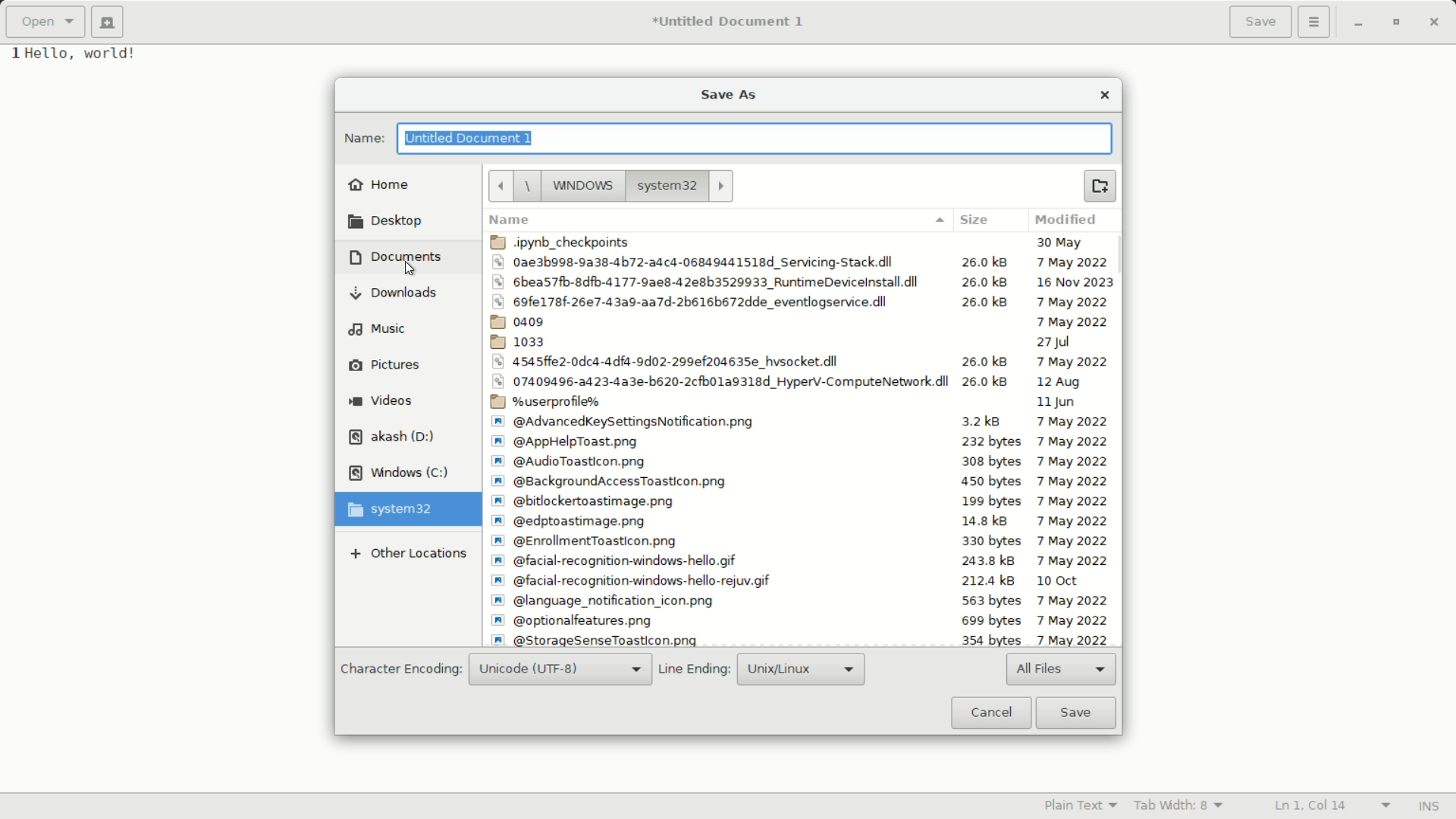 The width and height of the screenshot is (1456, 819). I want to click on Move Forward, so click(721, 186).